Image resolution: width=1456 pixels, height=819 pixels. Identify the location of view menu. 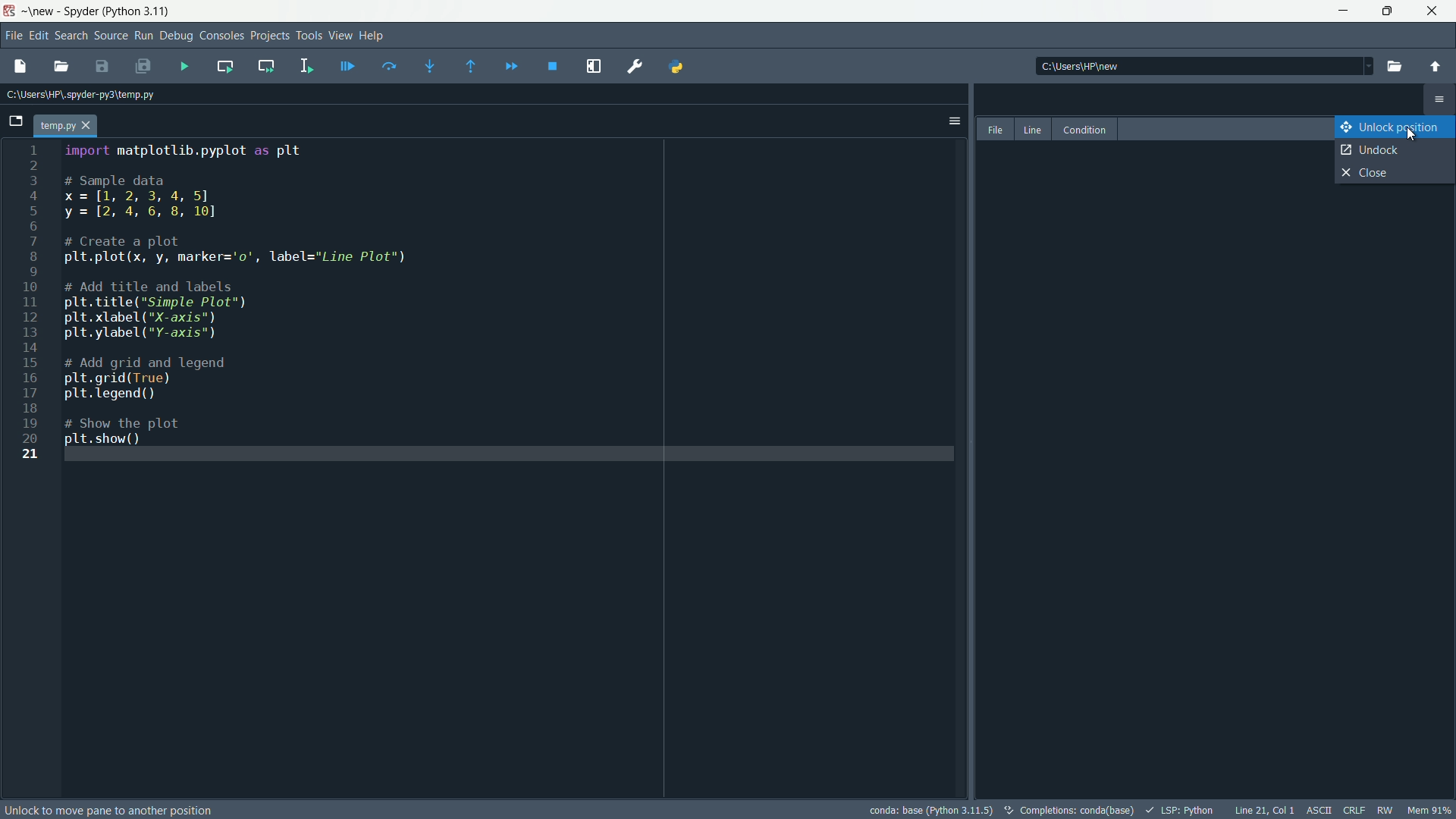
(340, 35).